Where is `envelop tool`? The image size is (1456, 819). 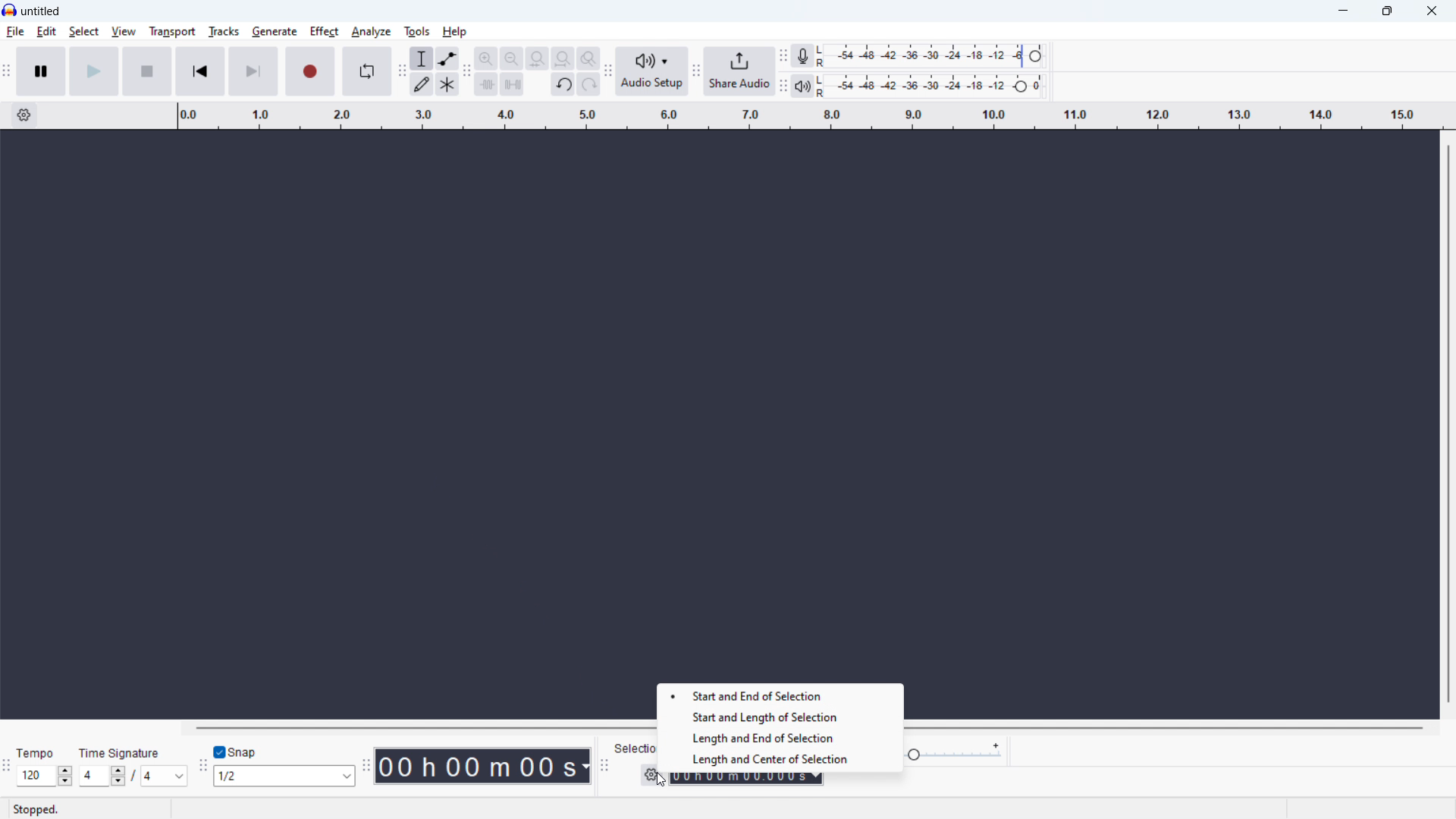
envelop tool is located at coordinates (449, 58).